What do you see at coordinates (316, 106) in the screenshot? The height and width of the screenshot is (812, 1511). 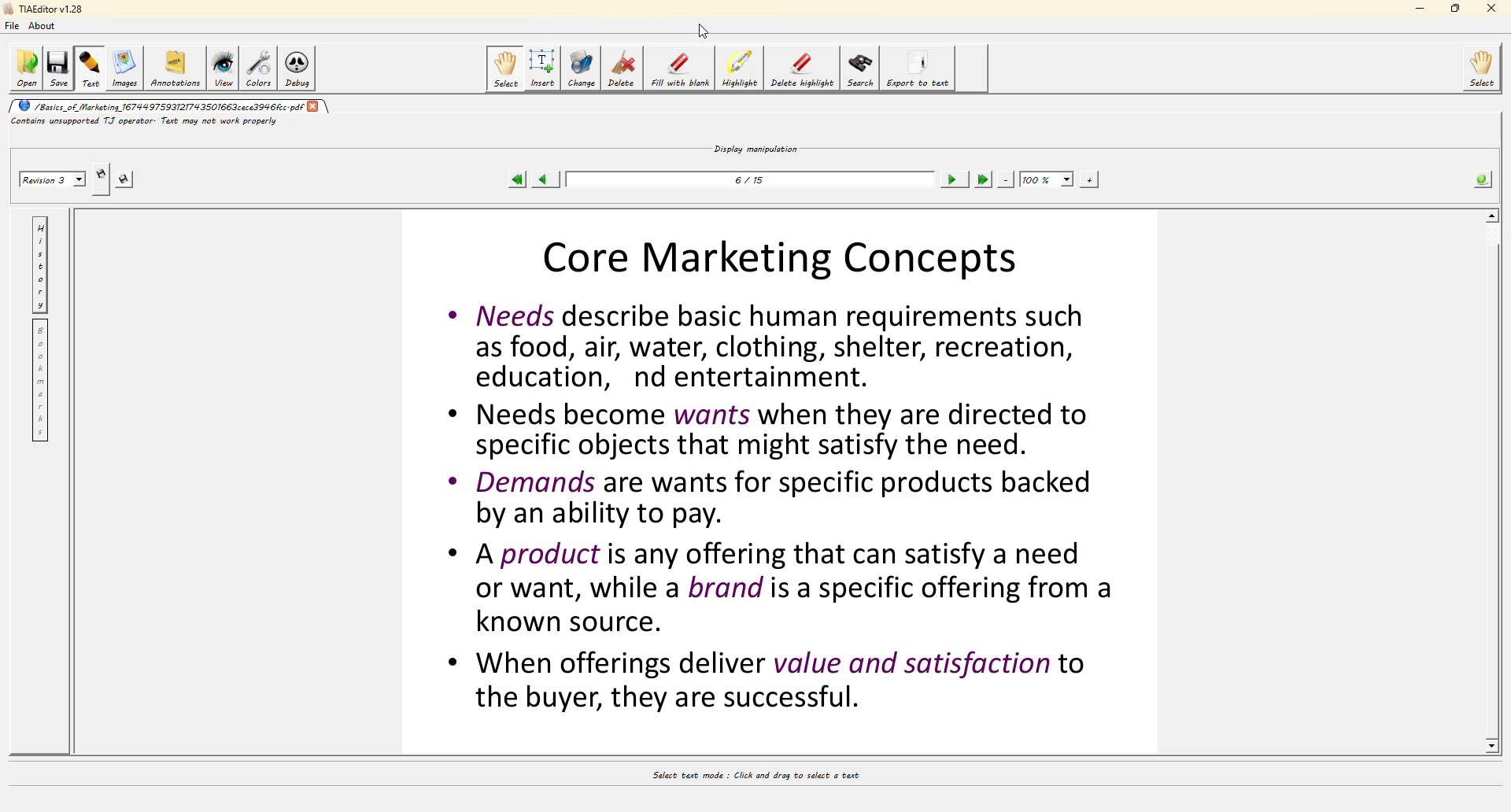 I see `close` at bounding box center [316, 106].